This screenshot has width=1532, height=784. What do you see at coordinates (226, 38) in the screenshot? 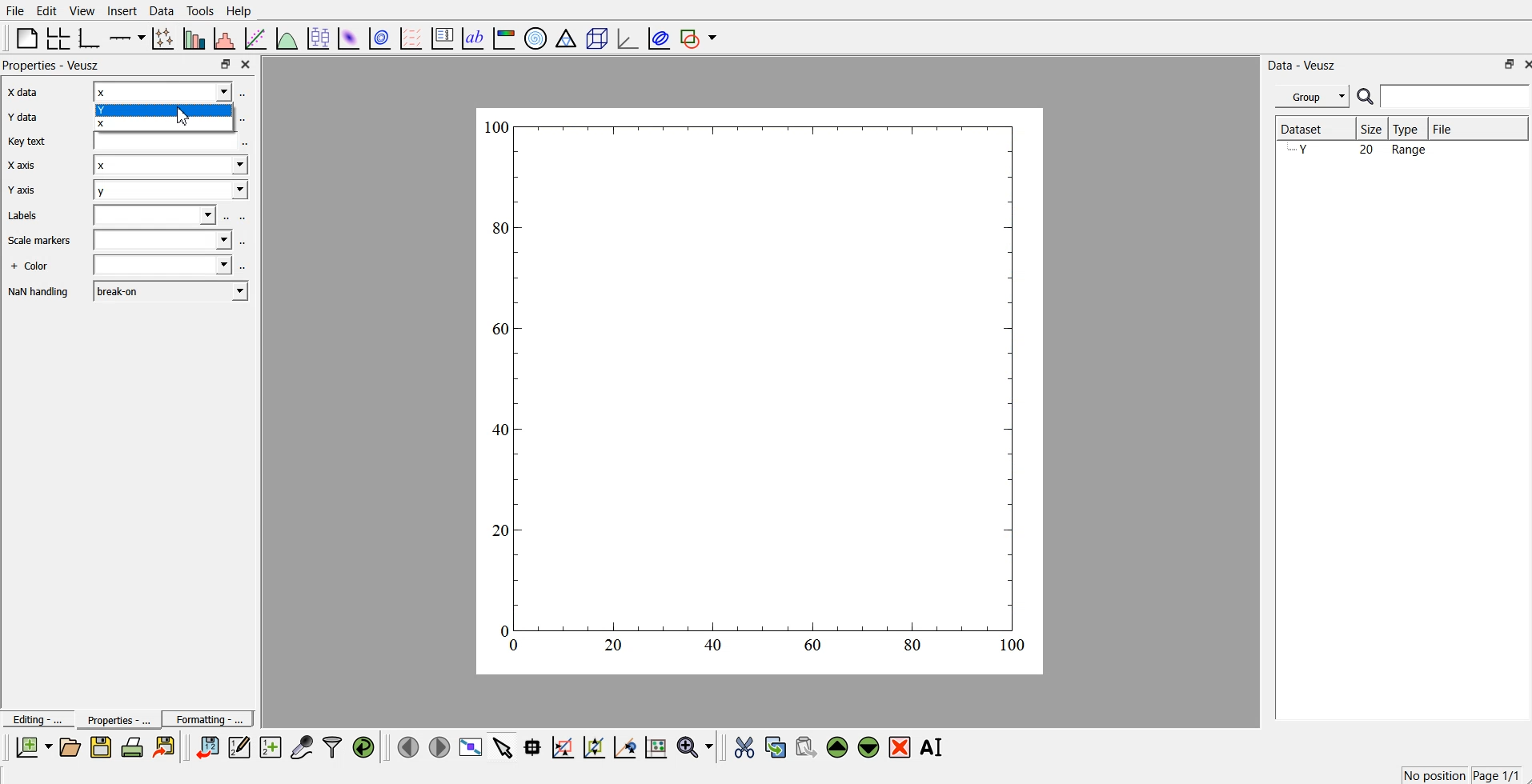
I see `histogram of dataset` at bounding box center [226, 38].